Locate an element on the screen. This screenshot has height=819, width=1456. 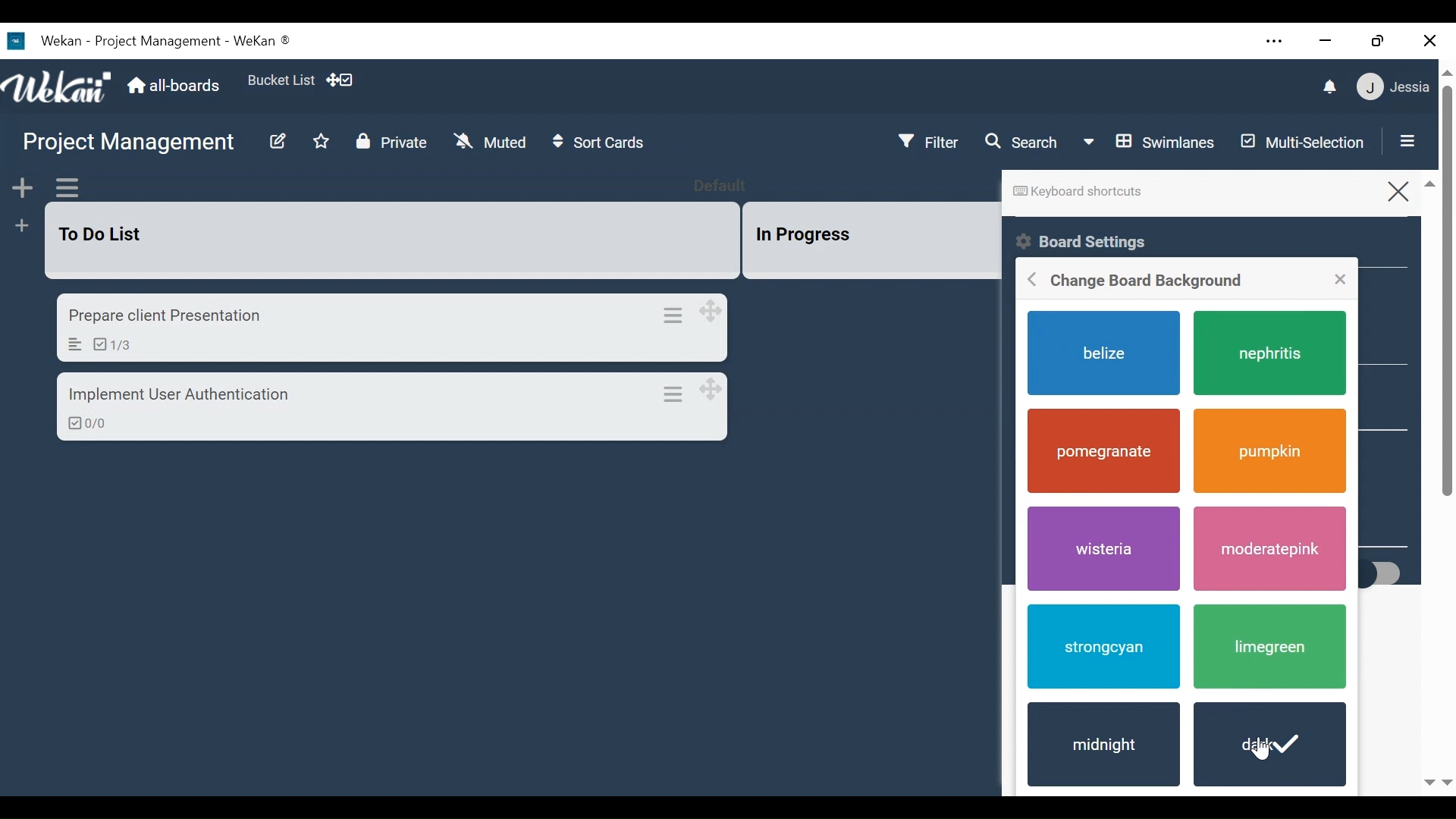
Search is located at coordinates (1025, 143).